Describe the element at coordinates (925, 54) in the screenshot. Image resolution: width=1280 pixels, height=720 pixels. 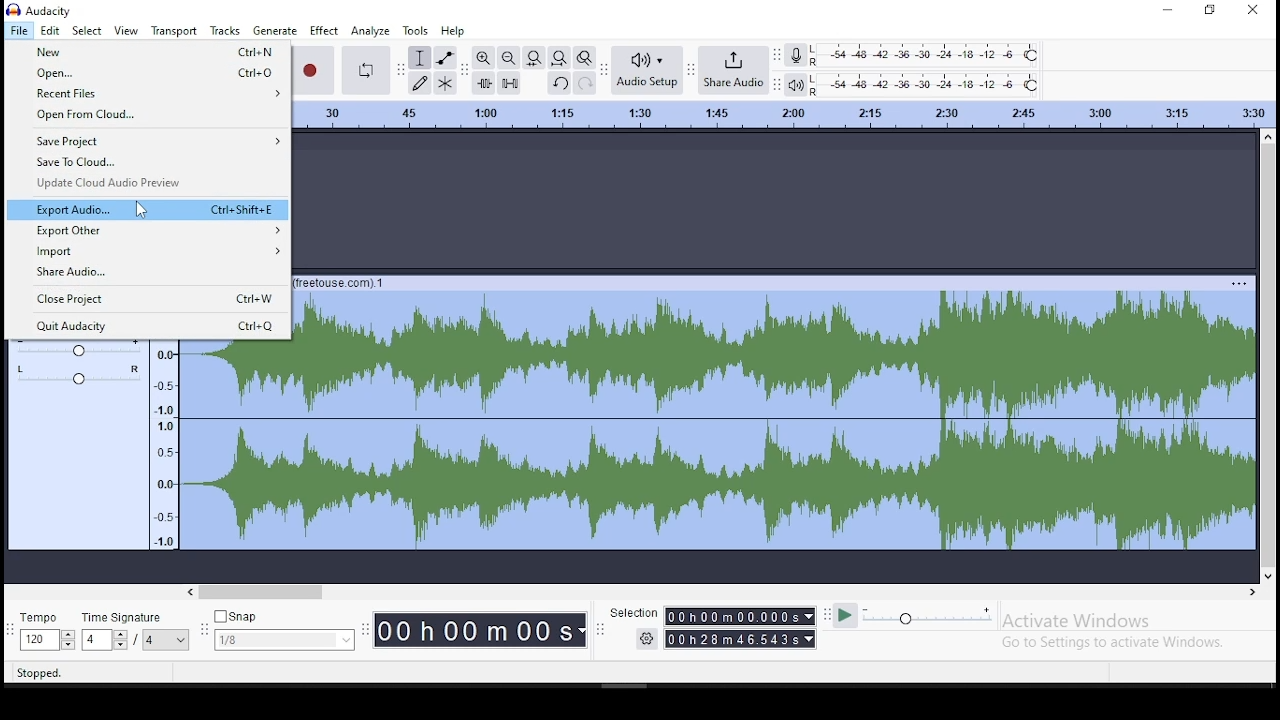
I see `recording level` at that location.